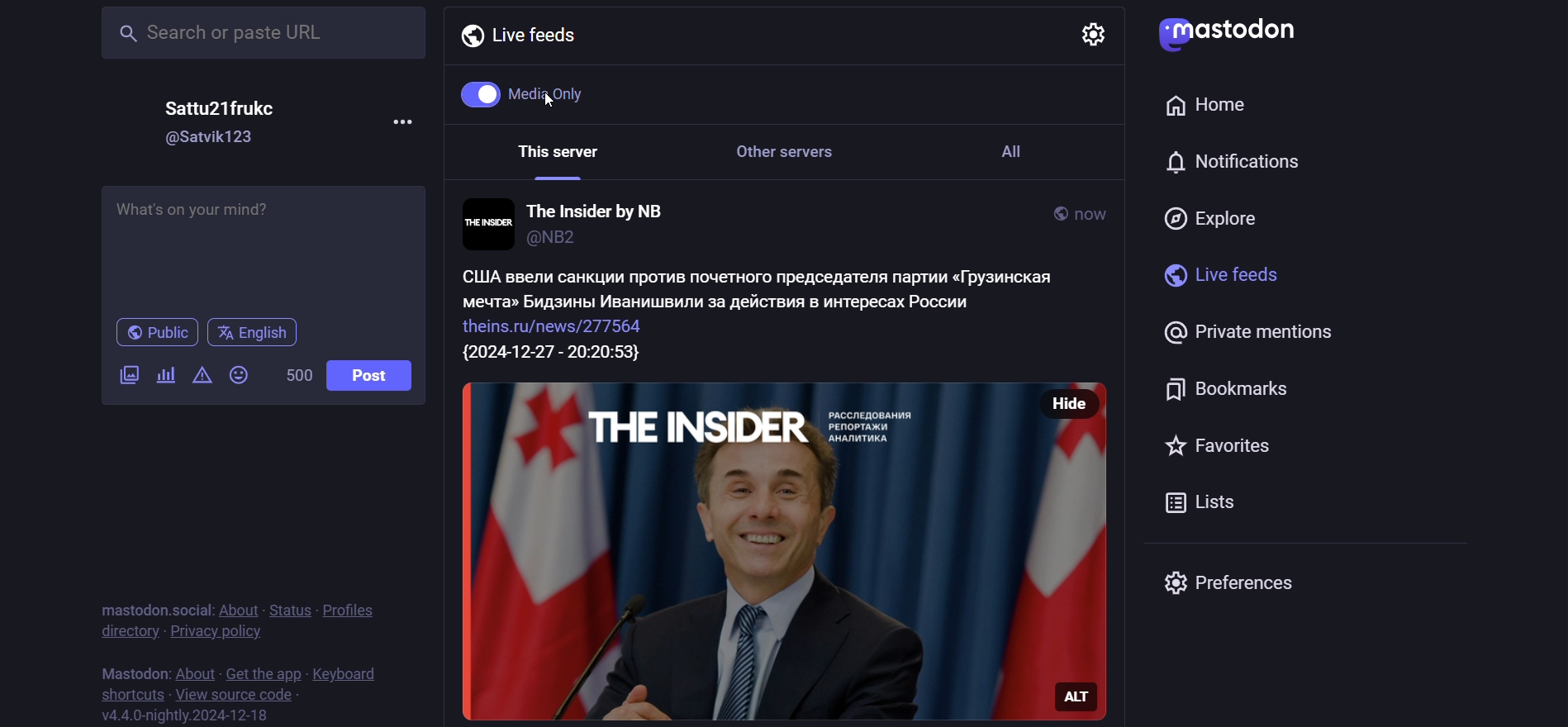 The width and height of the screenshot is (1568, 727). I want to click on the insider by nb, so click(601, 209).